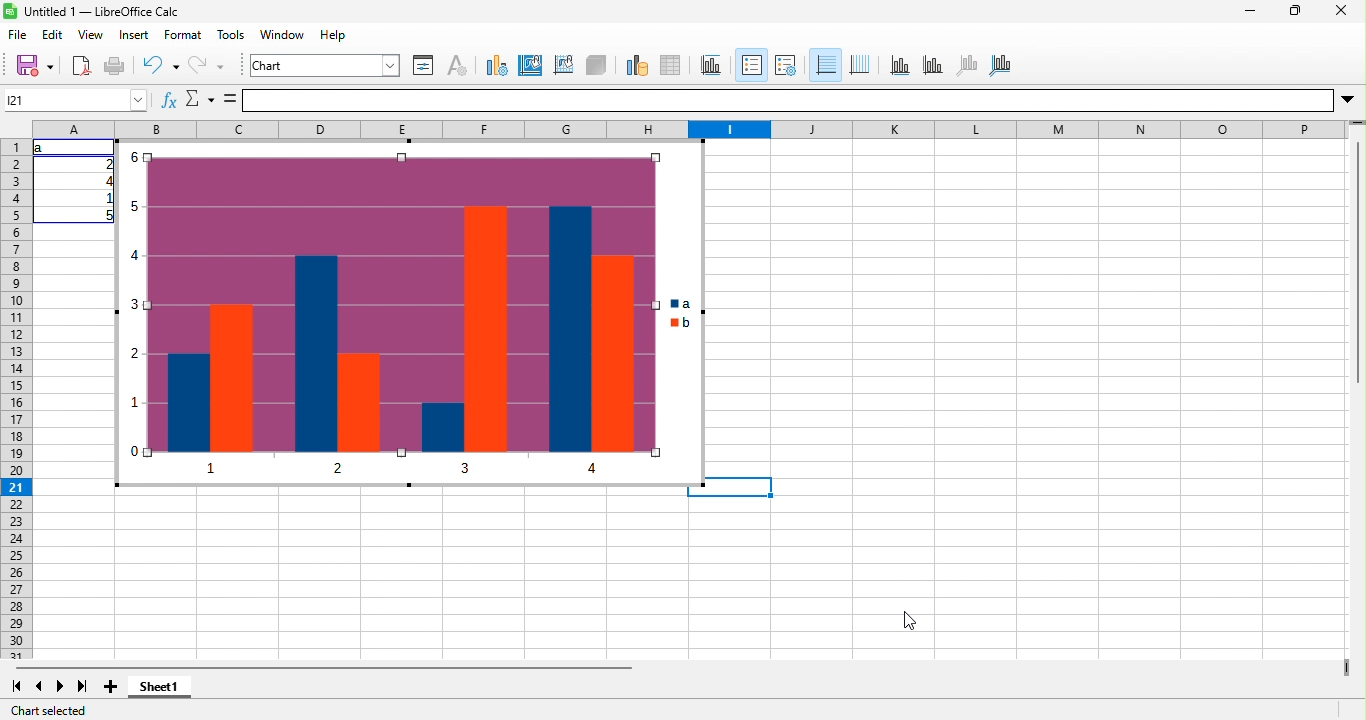 The image size is (1366, 720). I want to click on previous sheet, so click(38, 686).